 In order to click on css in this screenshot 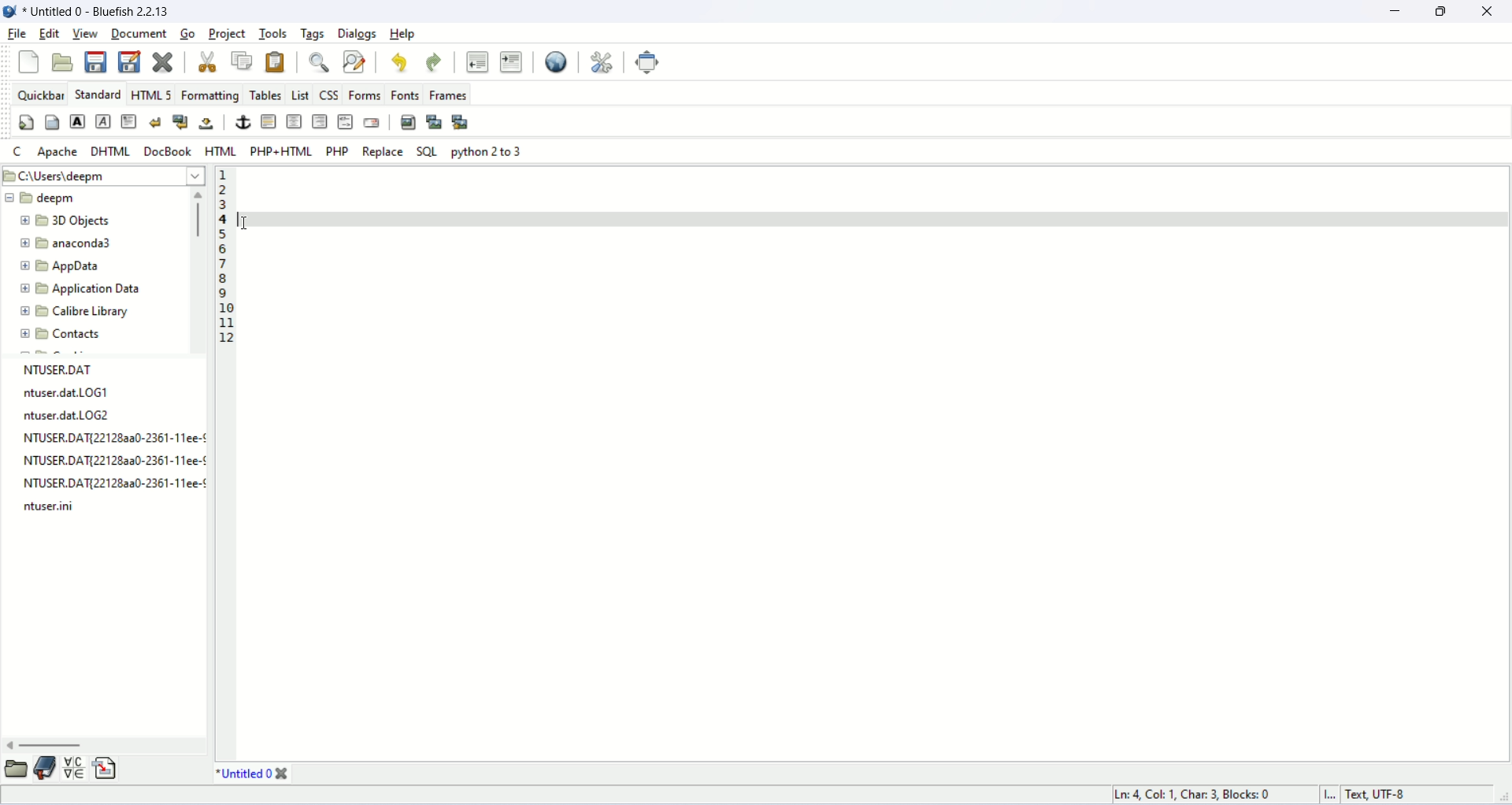, I will do `click(328, 95)`.